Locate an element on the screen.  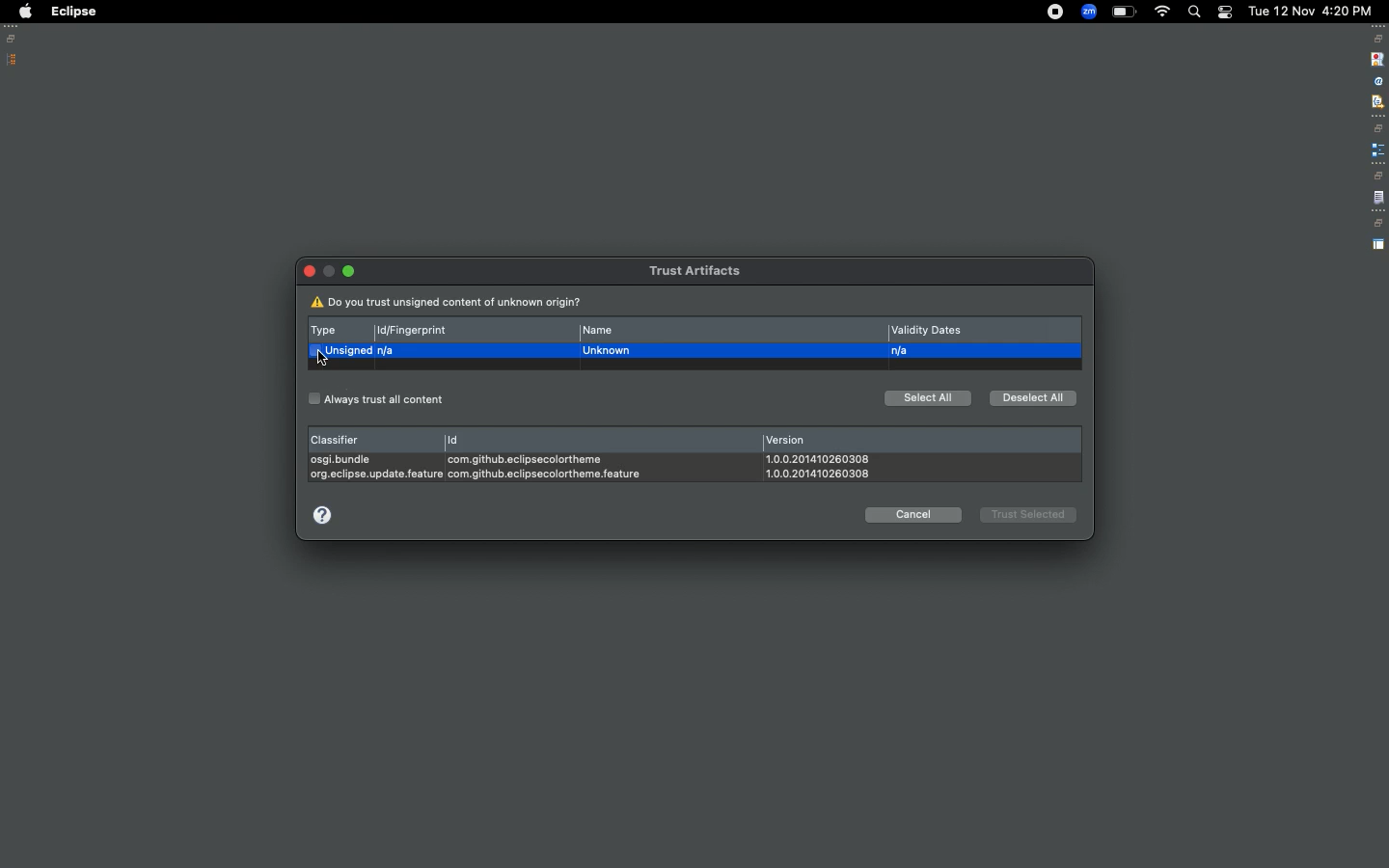
Cancel is located at coordinates (913, 514).